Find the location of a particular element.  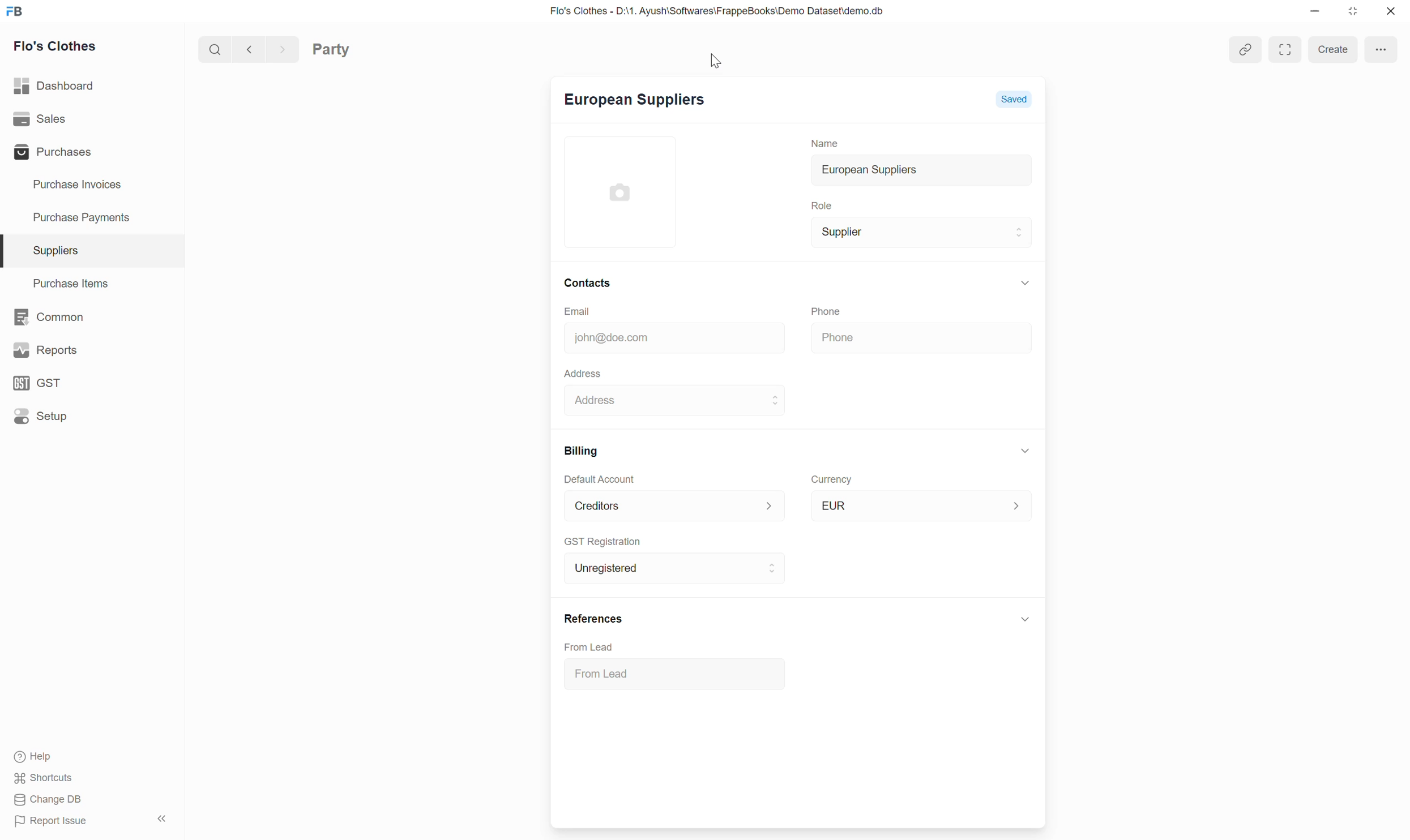

contacts is located at coordinates (587, 281).